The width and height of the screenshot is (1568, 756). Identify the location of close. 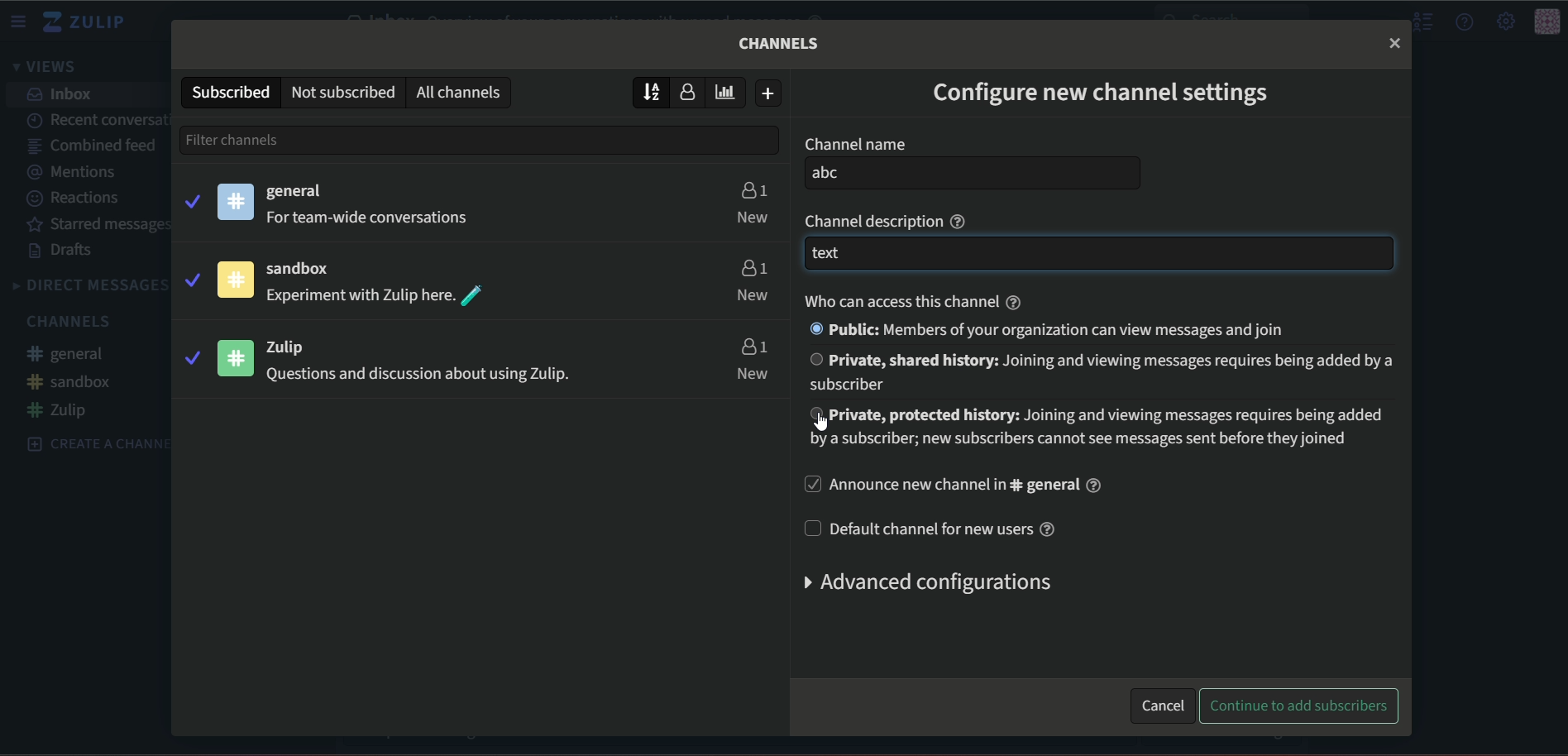
(1394, 42).